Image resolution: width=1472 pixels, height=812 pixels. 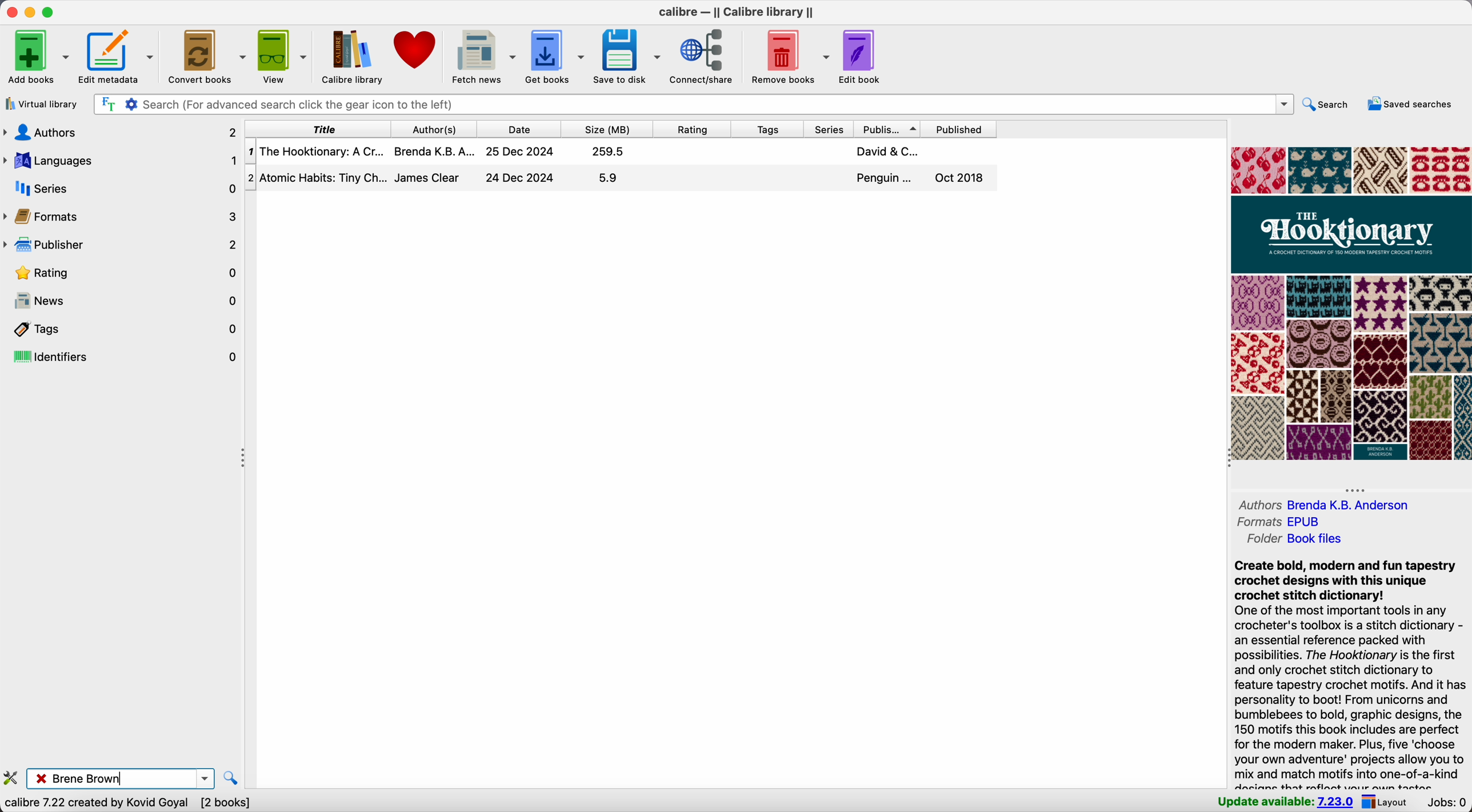 I want to click on Jobs: 0, so click(x=1447, y=802).